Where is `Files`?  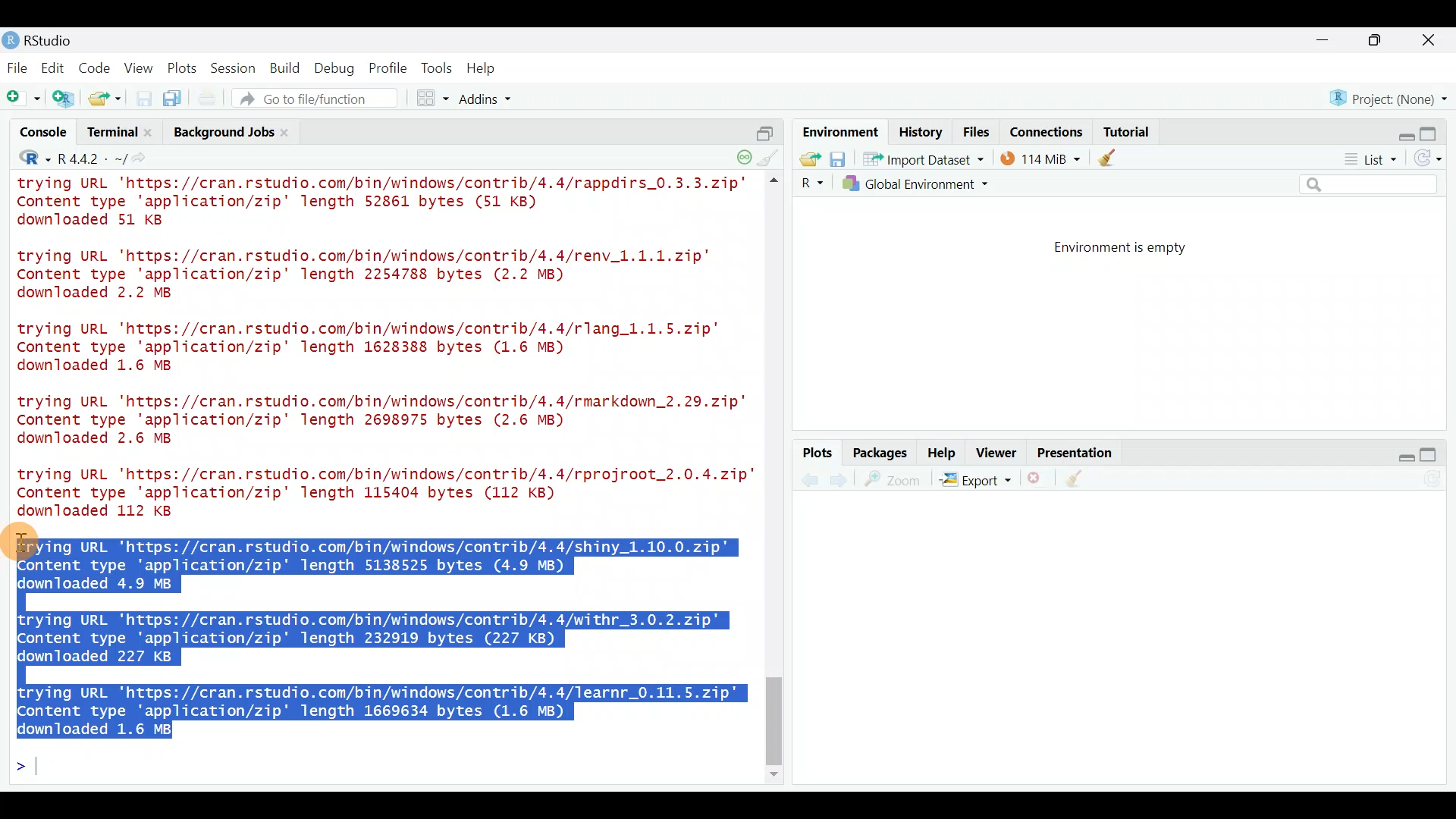 Files is located at coordinates (977, 132).